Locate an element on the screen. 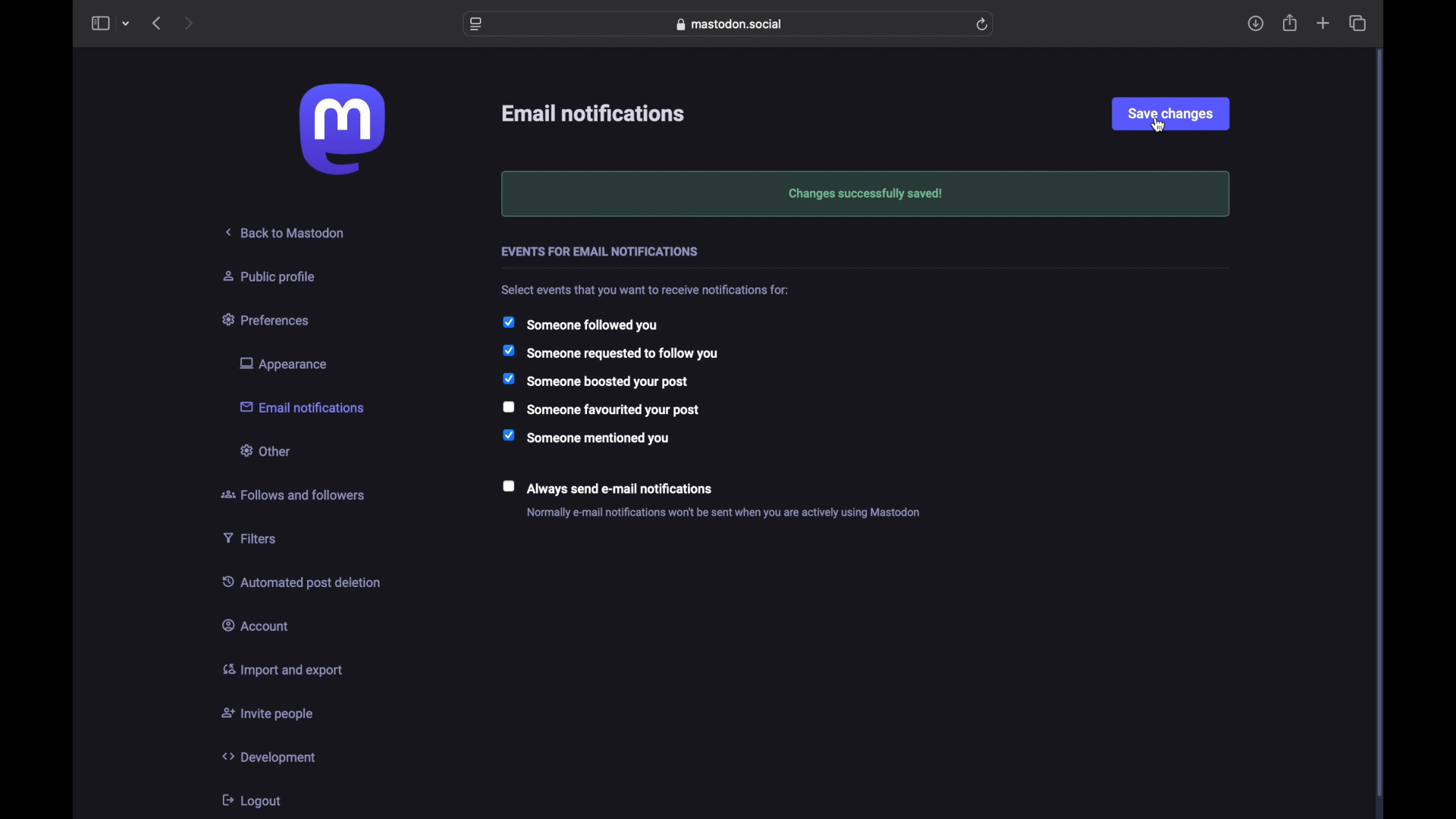 The height and width of the screenshot is (819, 1456). follows and followers is located at coordinates (293, 494).